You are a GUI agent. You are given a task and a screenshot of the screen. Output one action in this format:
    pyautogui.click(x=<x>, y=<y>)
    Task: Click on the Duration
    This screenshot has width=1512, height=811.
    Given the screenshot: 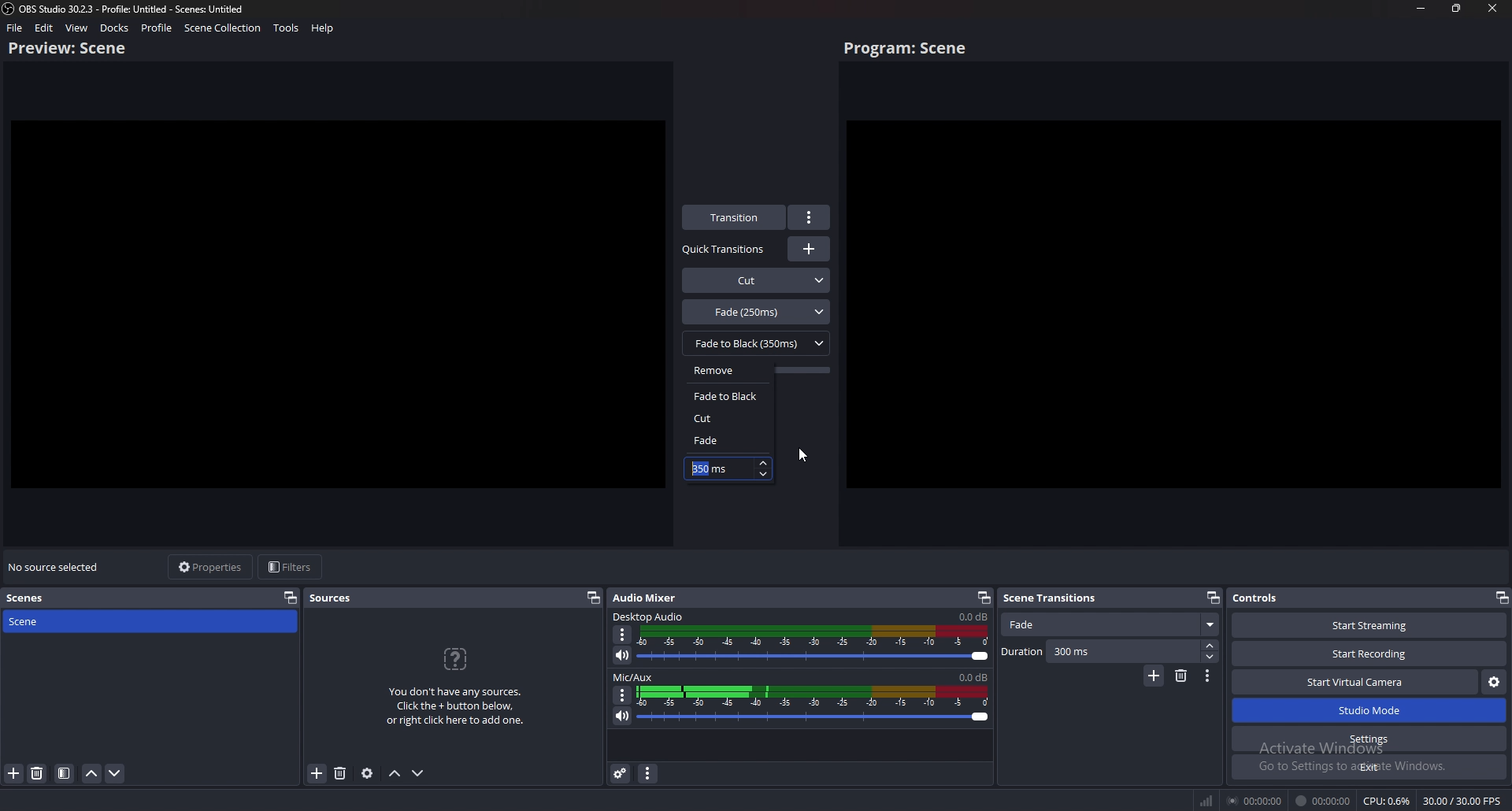 What is the action you would take?
    pyautogui.click(x=1110, y=652)
    